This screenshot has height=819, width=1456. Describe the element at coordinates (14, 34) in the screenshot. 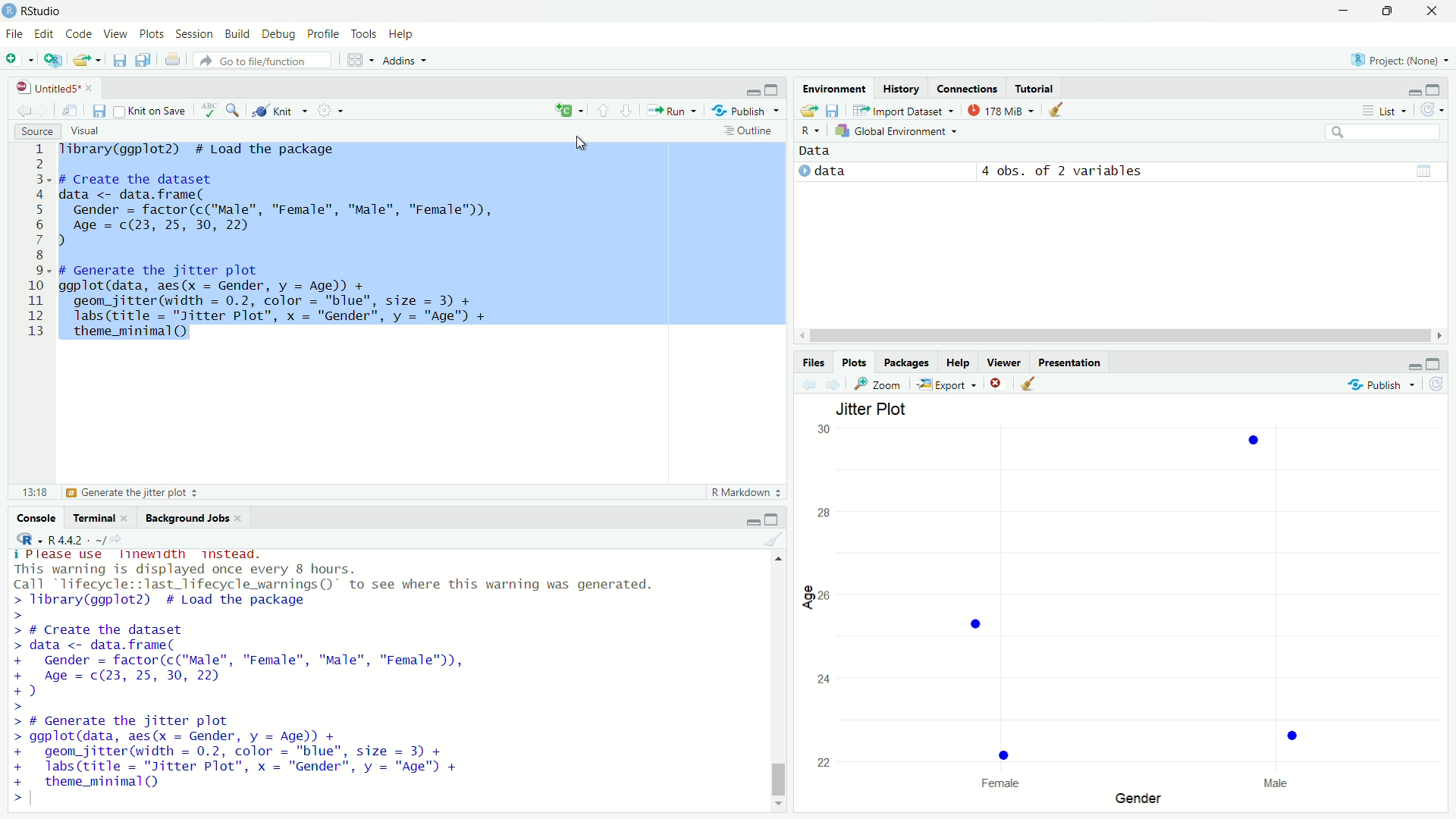

I see `file` at that location.